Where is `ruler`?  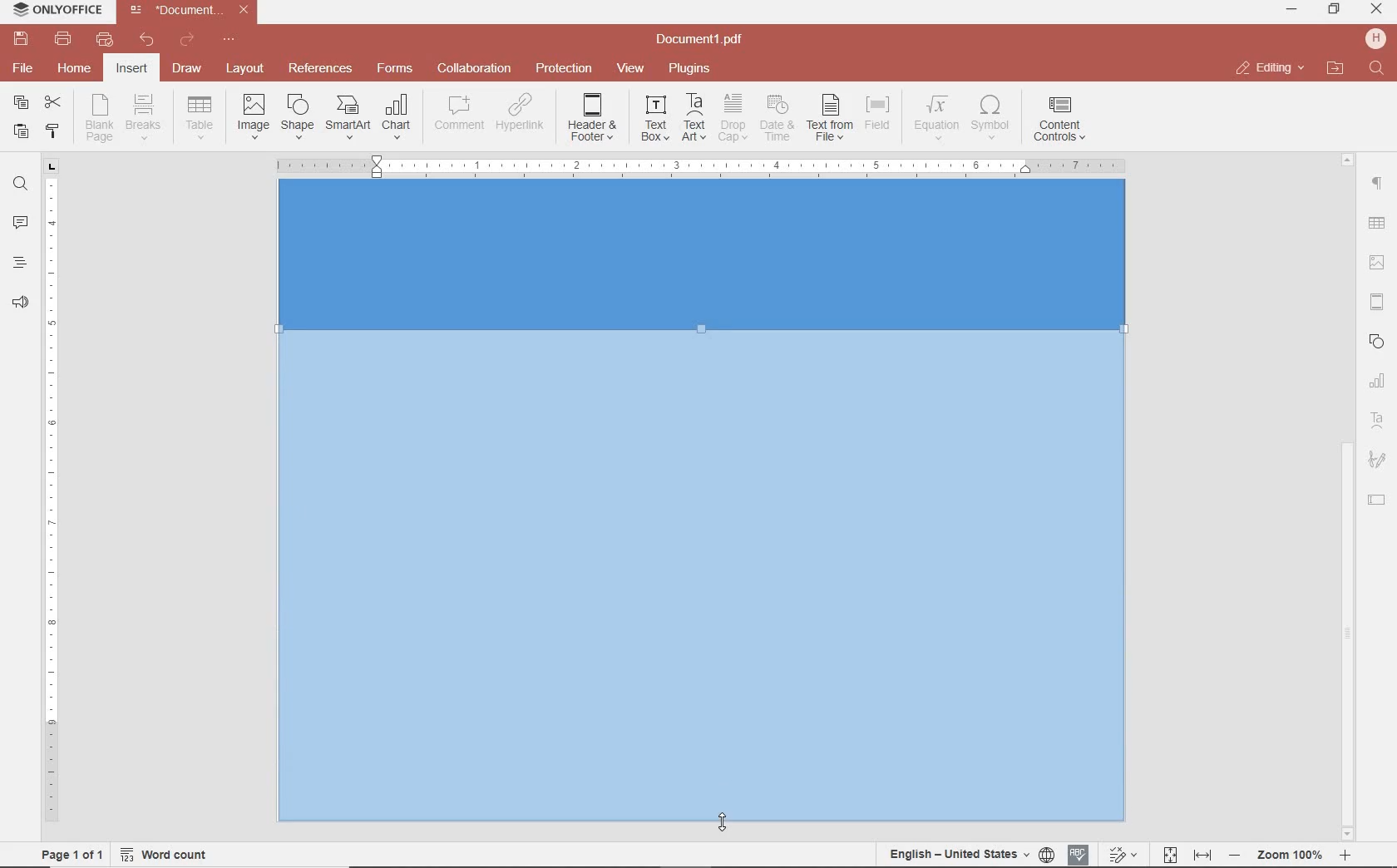
ruler is located at coordinates (52, 508).